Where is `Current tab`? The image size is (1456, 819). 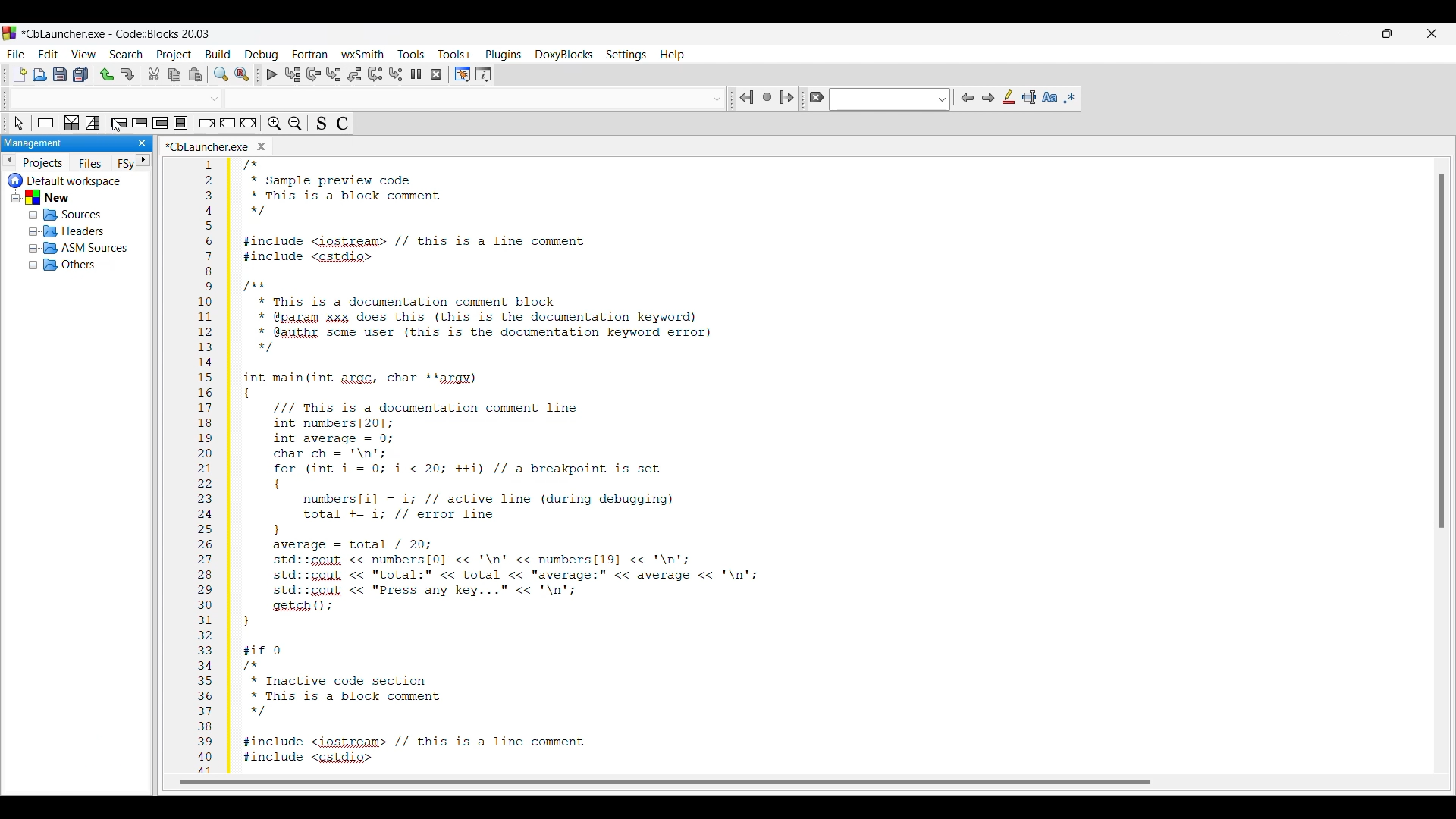 Current tab is located at coordinates (51, 146).